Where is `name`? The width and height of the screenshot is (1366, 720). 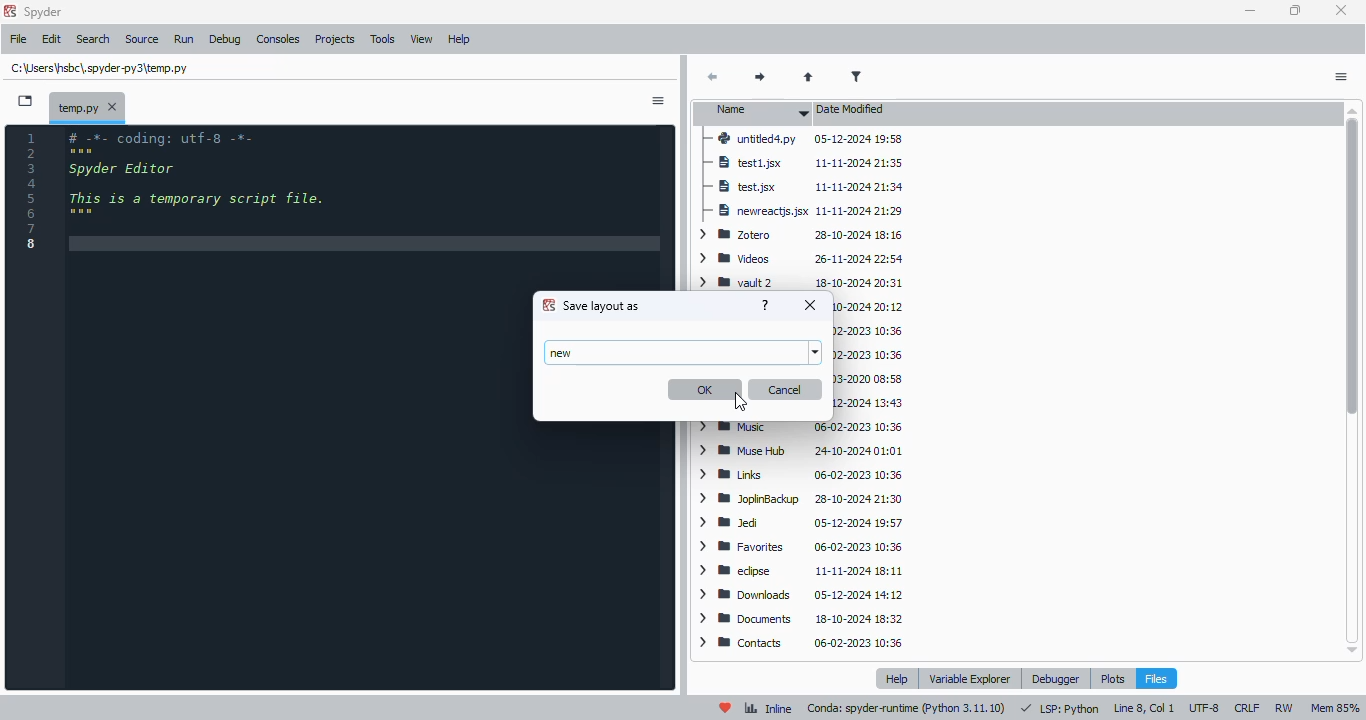
name is located at coordinates (756, 113).